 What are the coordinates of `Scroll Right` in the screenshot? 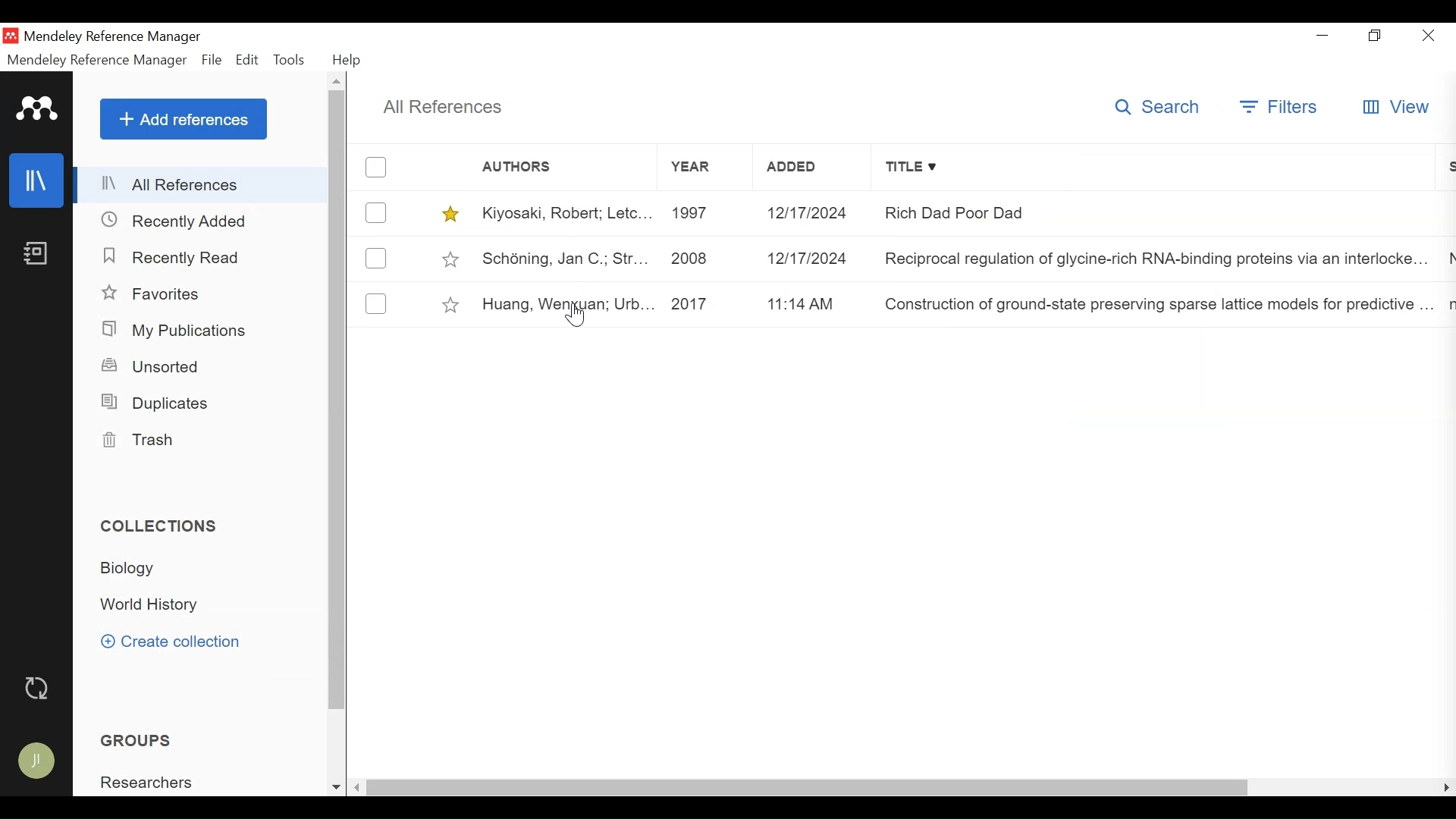 It's located at (1446, 789).